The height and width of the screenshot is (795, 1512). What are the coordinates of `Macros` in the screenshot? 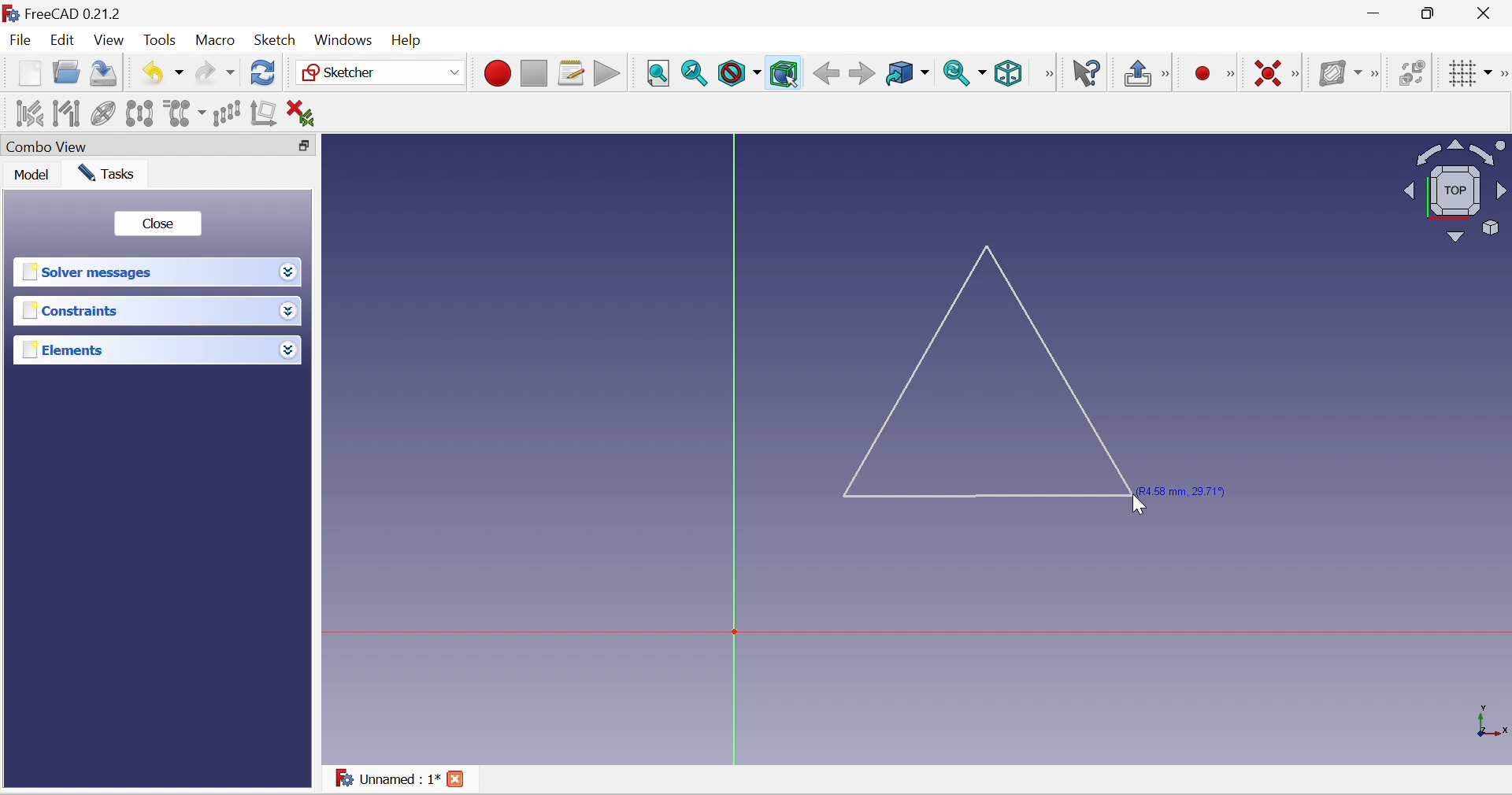 It's located at (572, 74).